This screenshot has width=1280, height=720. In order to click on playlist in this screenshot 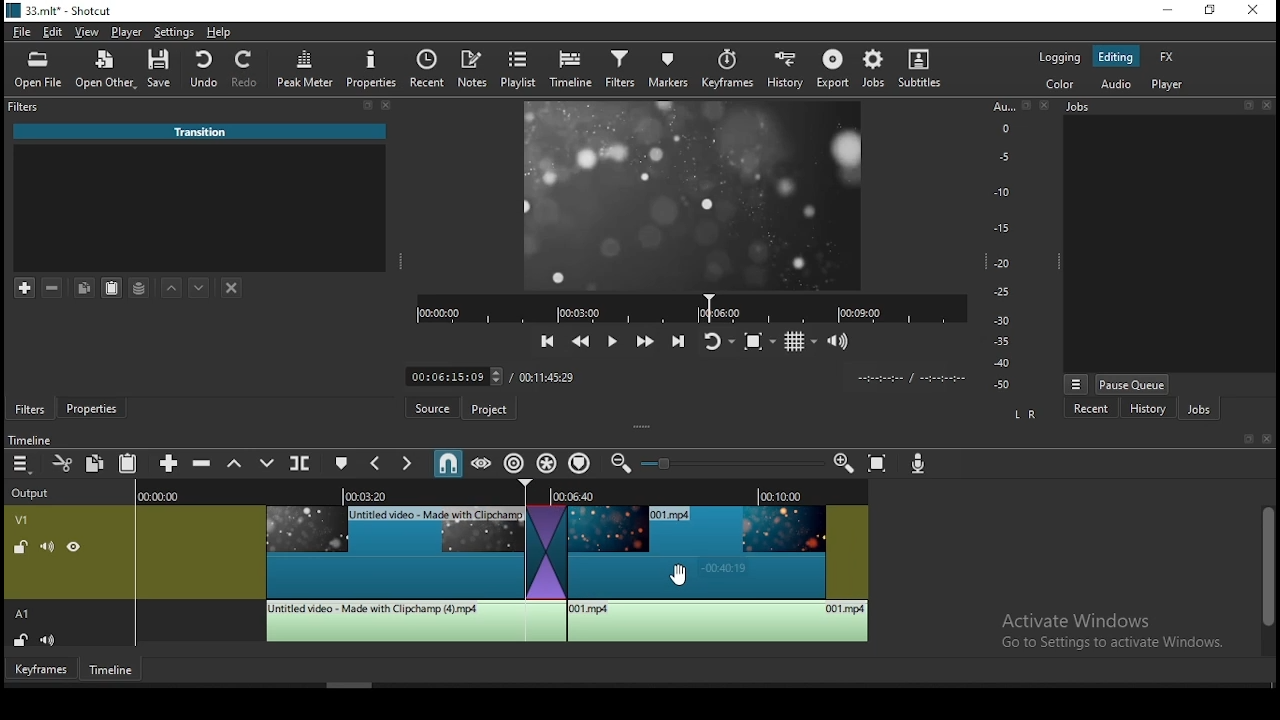, I will do `click(517, 67)`.